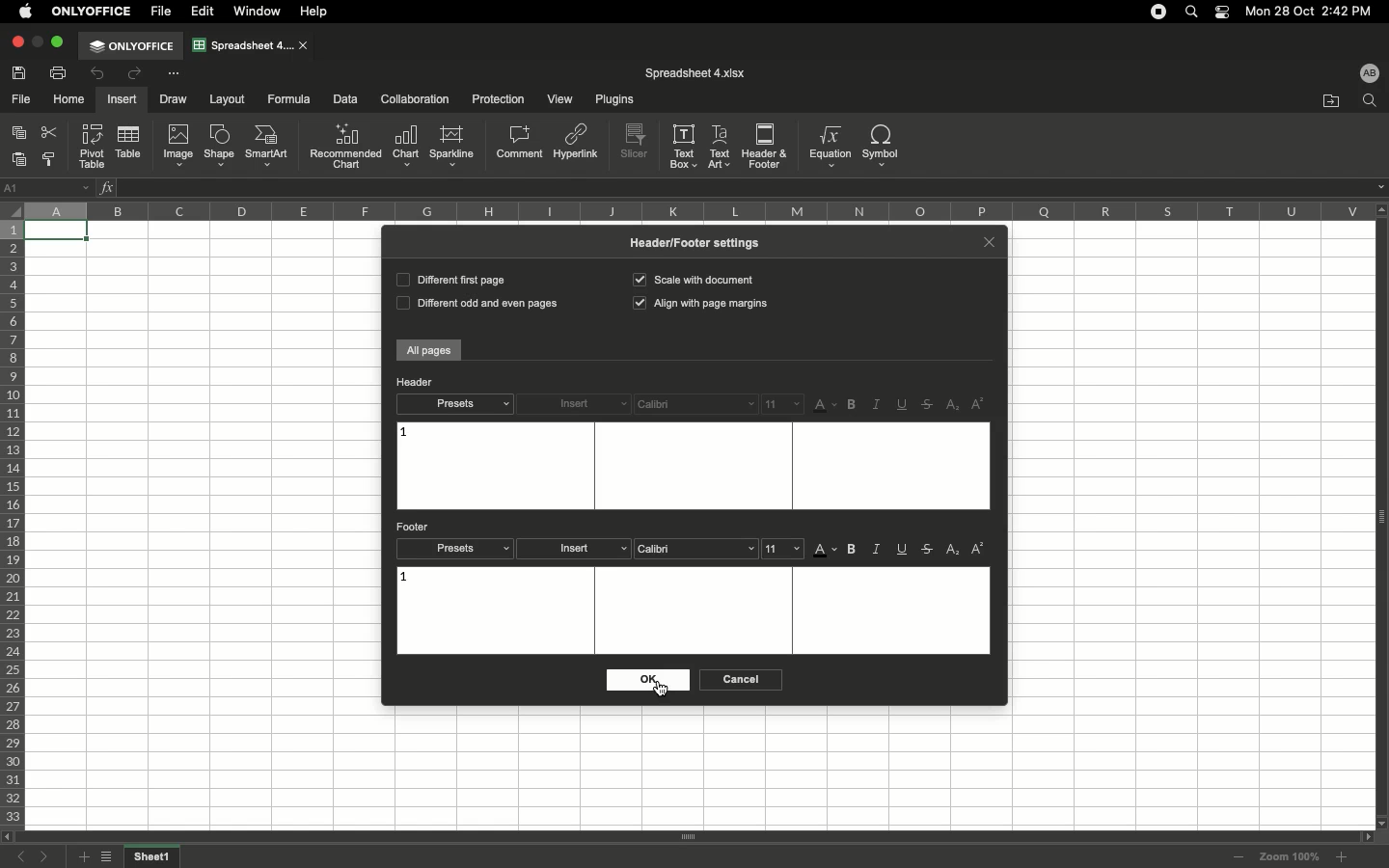 This screenshot has width=1389, height=868. Describe the element at coordinates (51, 160) in the screenshot. I see `Copy style` at that location.